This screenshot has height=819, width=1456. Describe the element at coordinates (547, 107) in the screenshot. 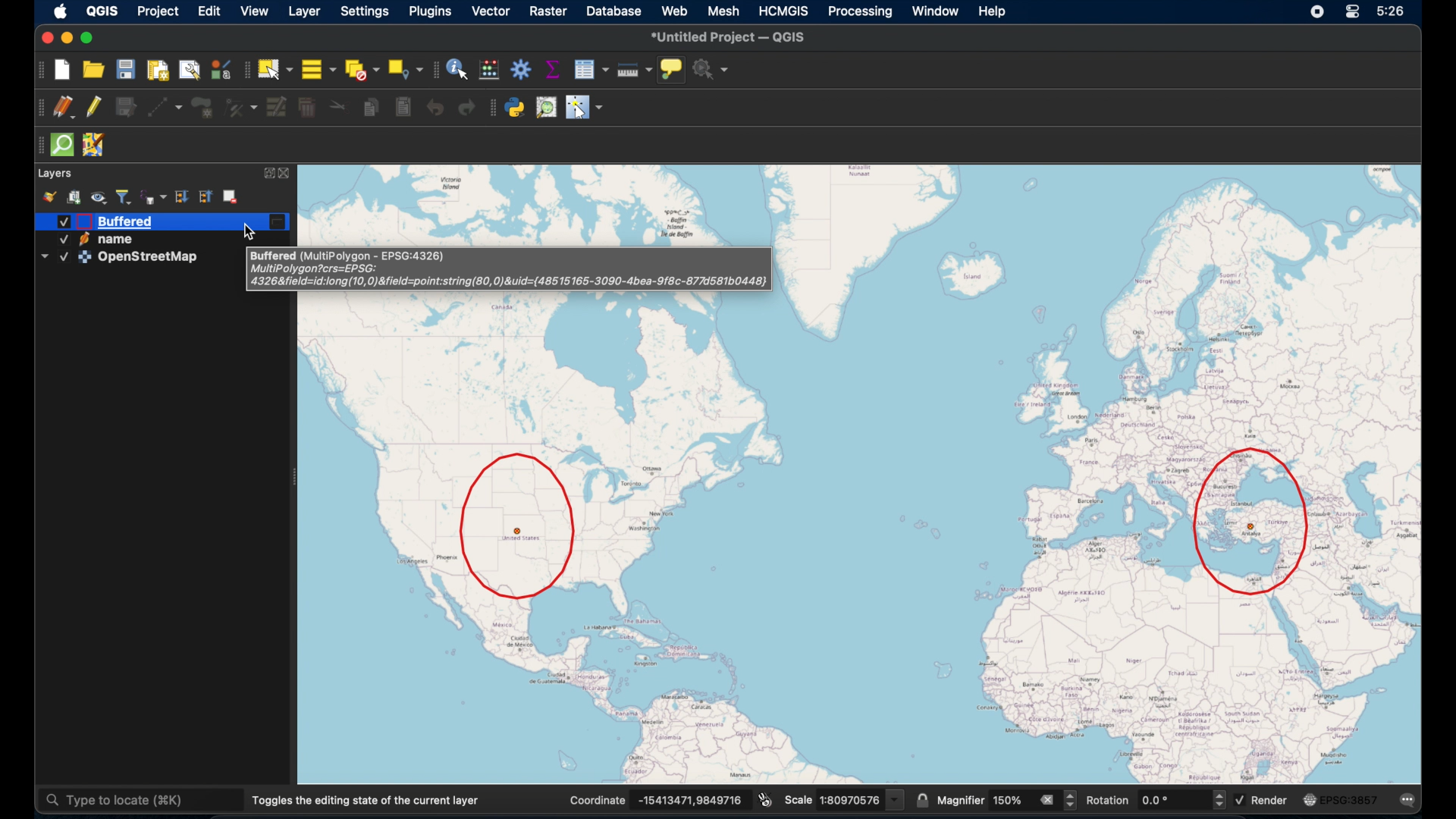

I see `someplace search` at that location.